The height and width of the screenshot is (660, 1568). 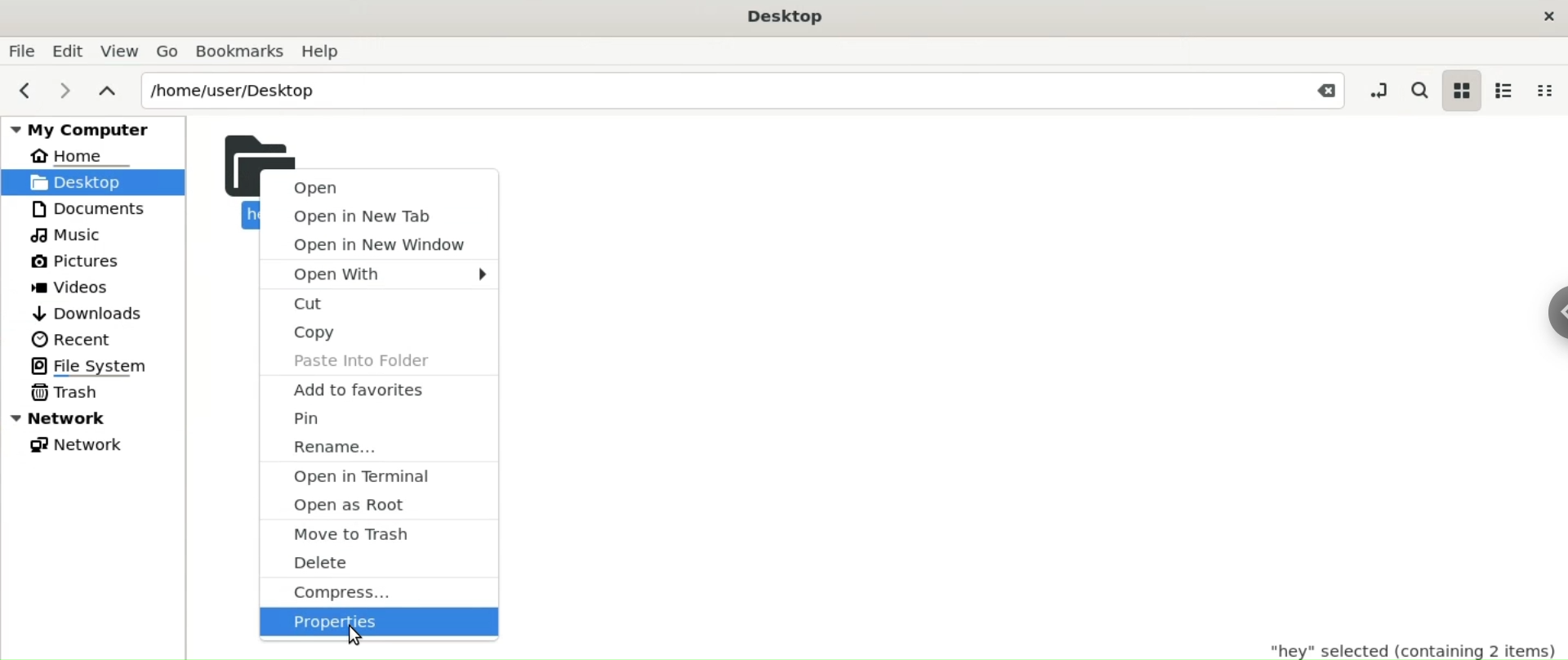 What do you see at coordinates (375, 505) in the screenshot?
I see `open as root` at bounding box center [375, 505].